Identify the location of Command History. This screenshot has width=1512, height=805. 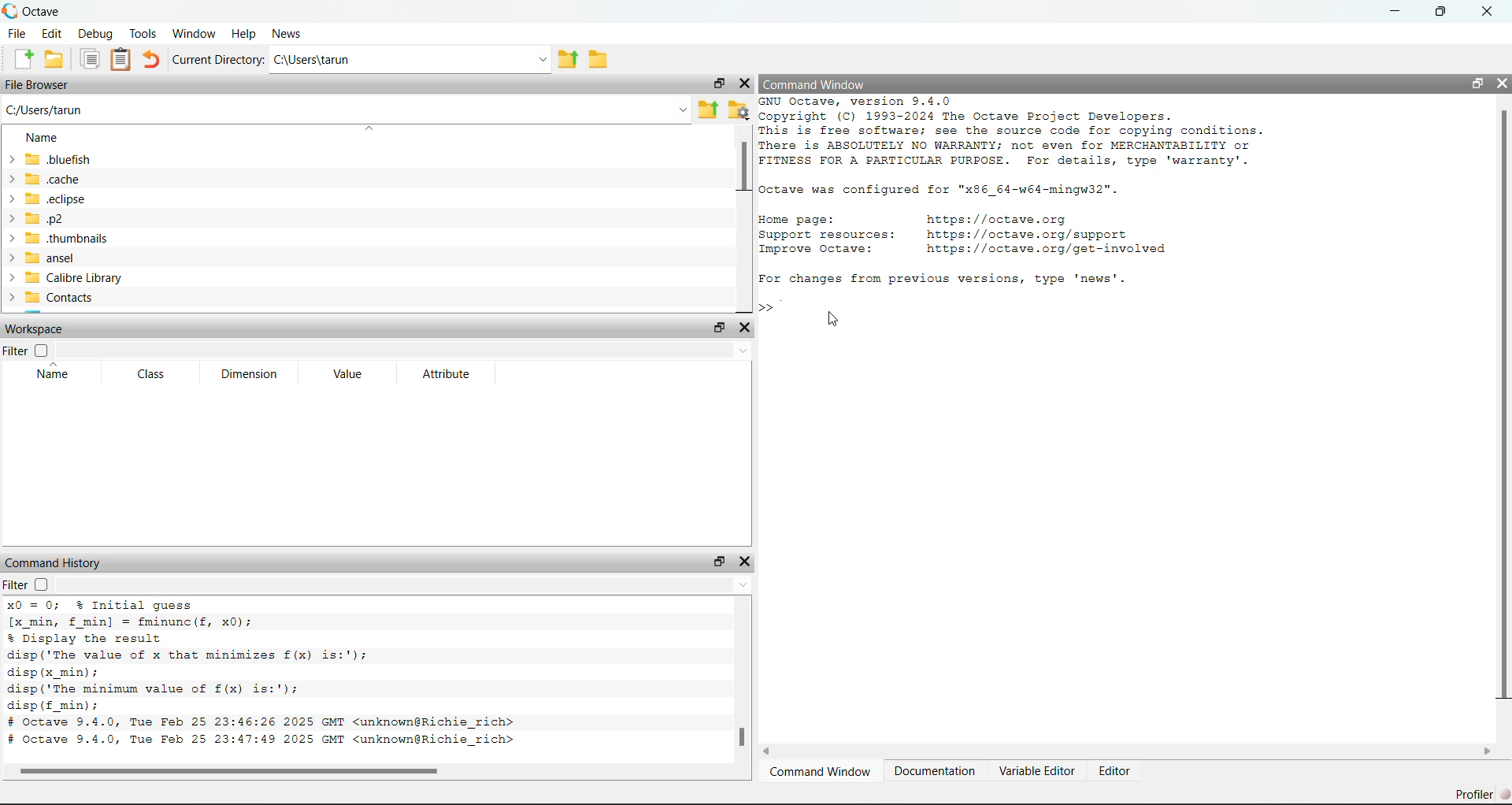
(60, 561).